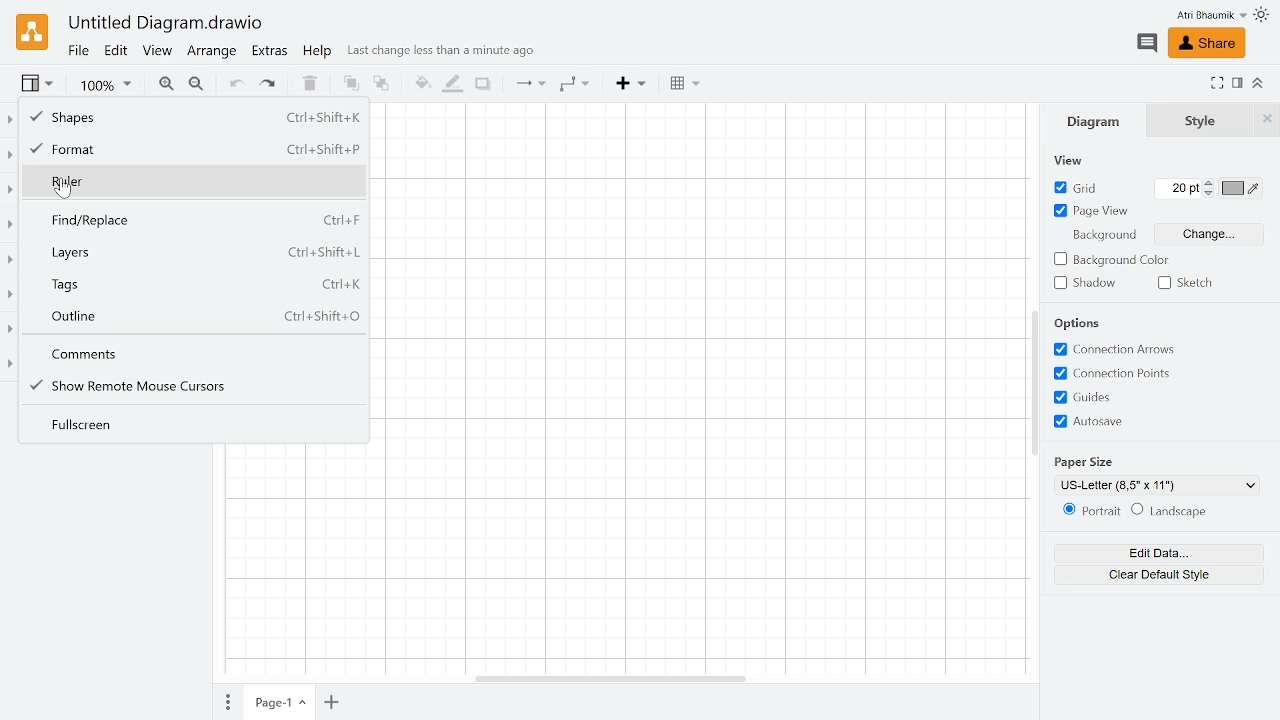 The width and height of the screenshot is (1280, 720). What do you see at coordinates (1121, 398) in the screenshot?
I see `Guides` at bounding box center [1121, 398].